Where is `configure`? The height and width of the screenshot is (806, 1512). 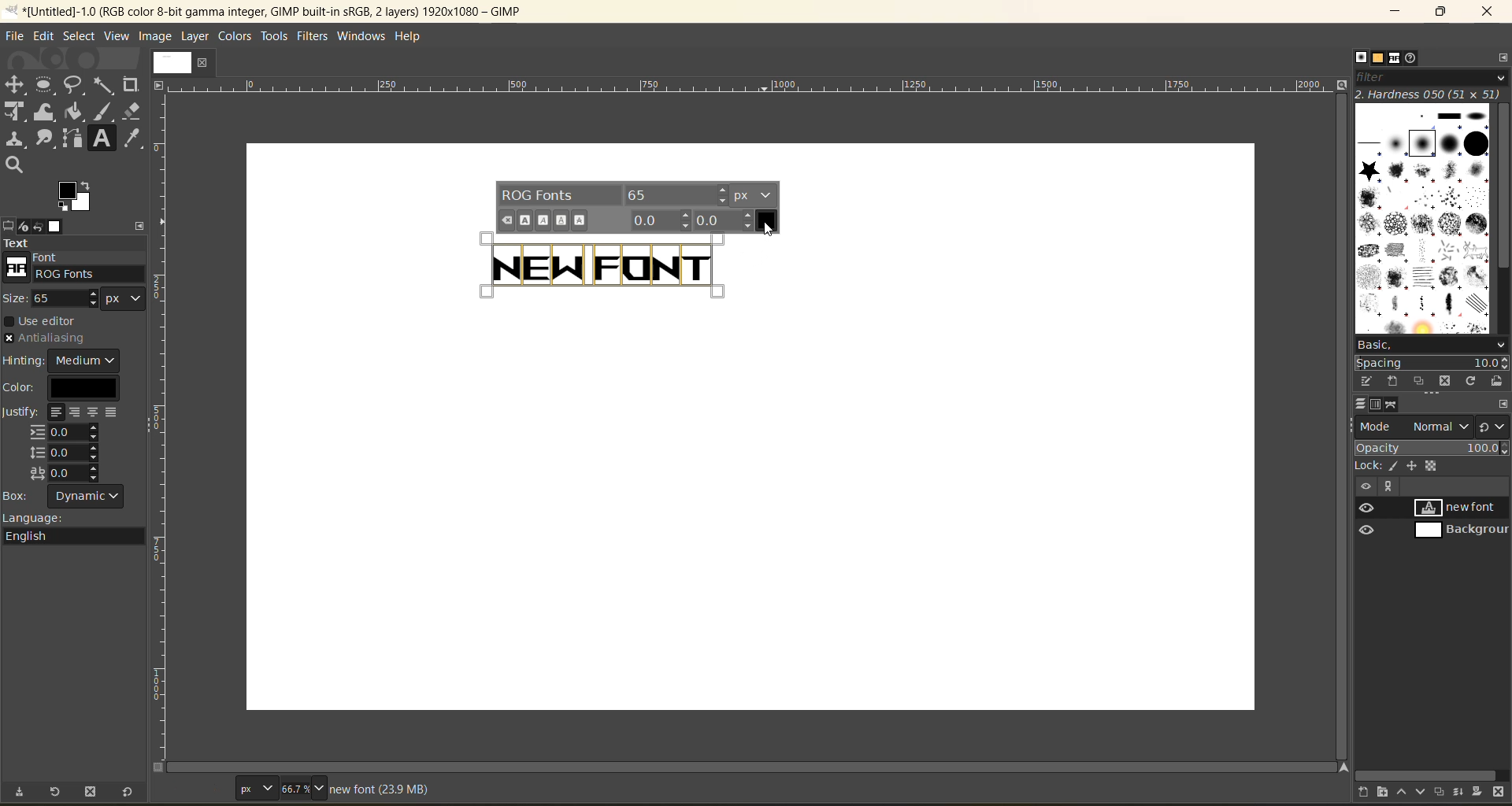
configure is located at coordinates (144, 224).